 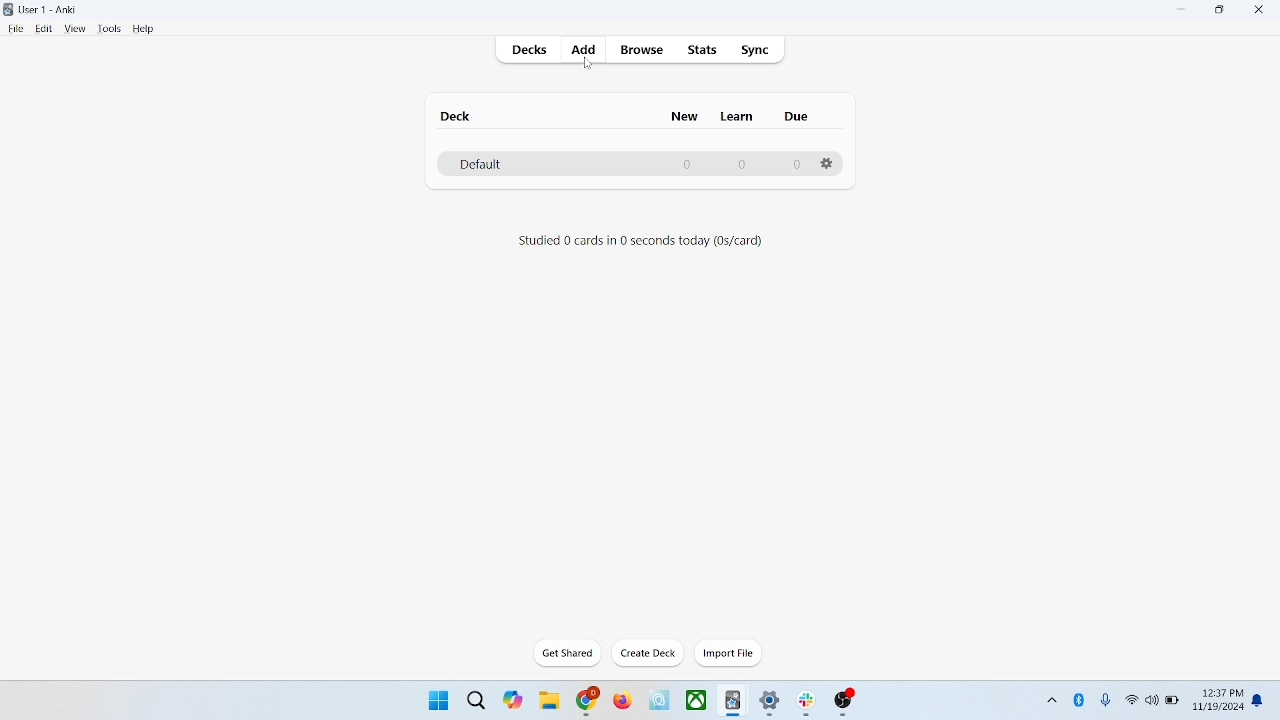 What do you see at coordinates (771, 704) in the screenshot?
I see `settings` at bounding box center [771, 704].